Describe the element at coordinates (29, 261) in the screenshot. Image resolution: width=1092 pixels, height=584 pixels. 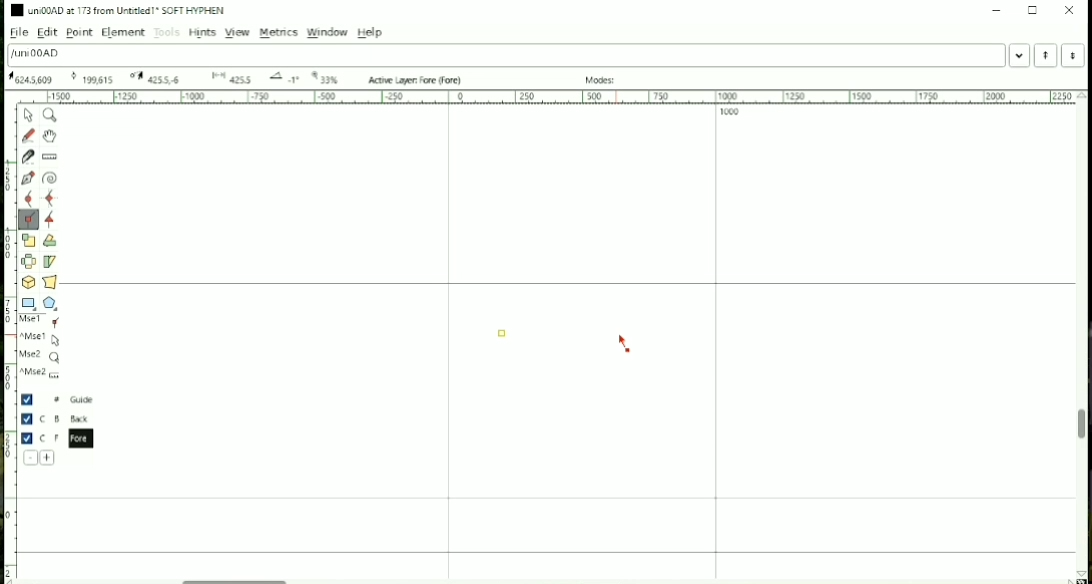
I see `Flip the selection` at that location.